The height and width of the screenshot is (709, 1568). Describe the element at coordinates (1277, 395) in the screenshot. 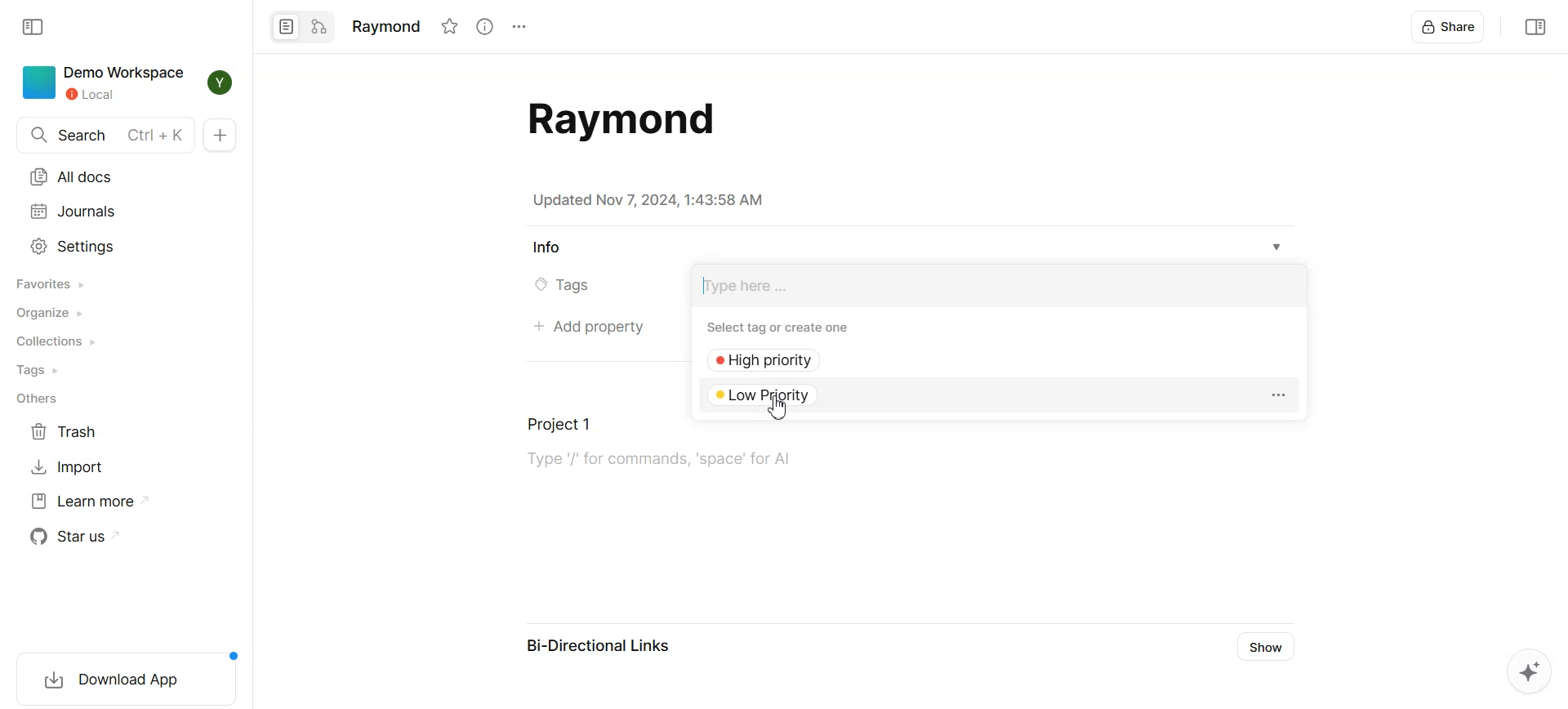

I see `Setting` at that location.